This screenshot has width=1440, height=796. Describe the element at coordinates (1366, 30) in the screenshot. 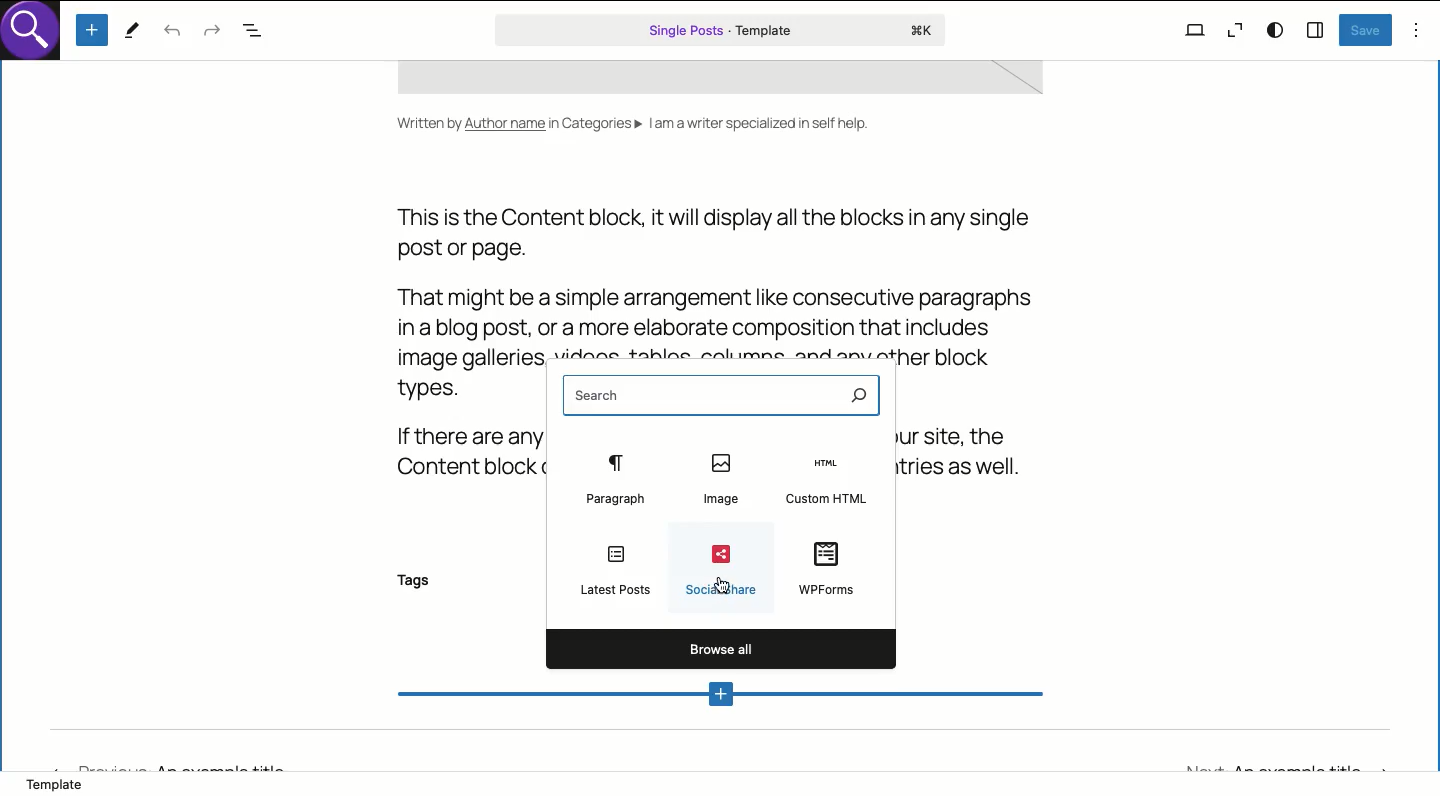

I see `Save` at that location.